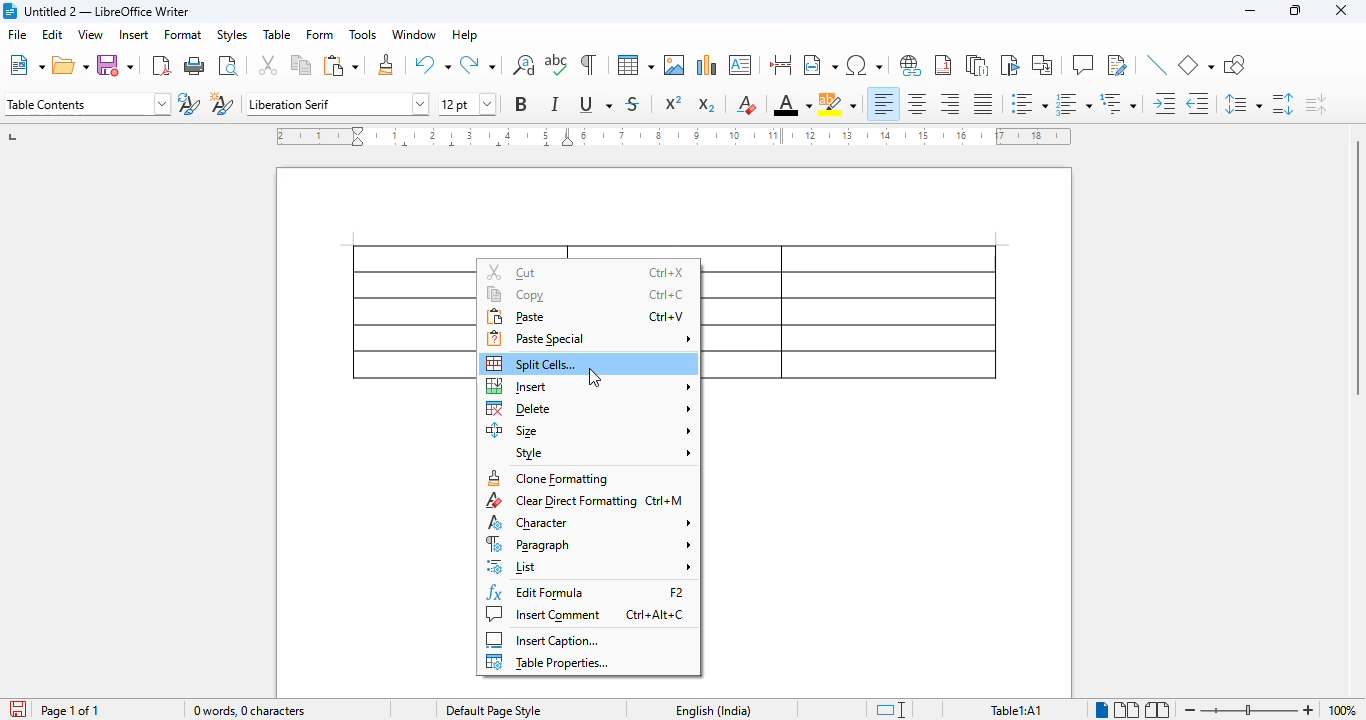 The height and width of the screenshot is (720, 1366). Describe the element at coordinates (1041, 64) in the screenshot. I see `insert cross-reference` at that location.